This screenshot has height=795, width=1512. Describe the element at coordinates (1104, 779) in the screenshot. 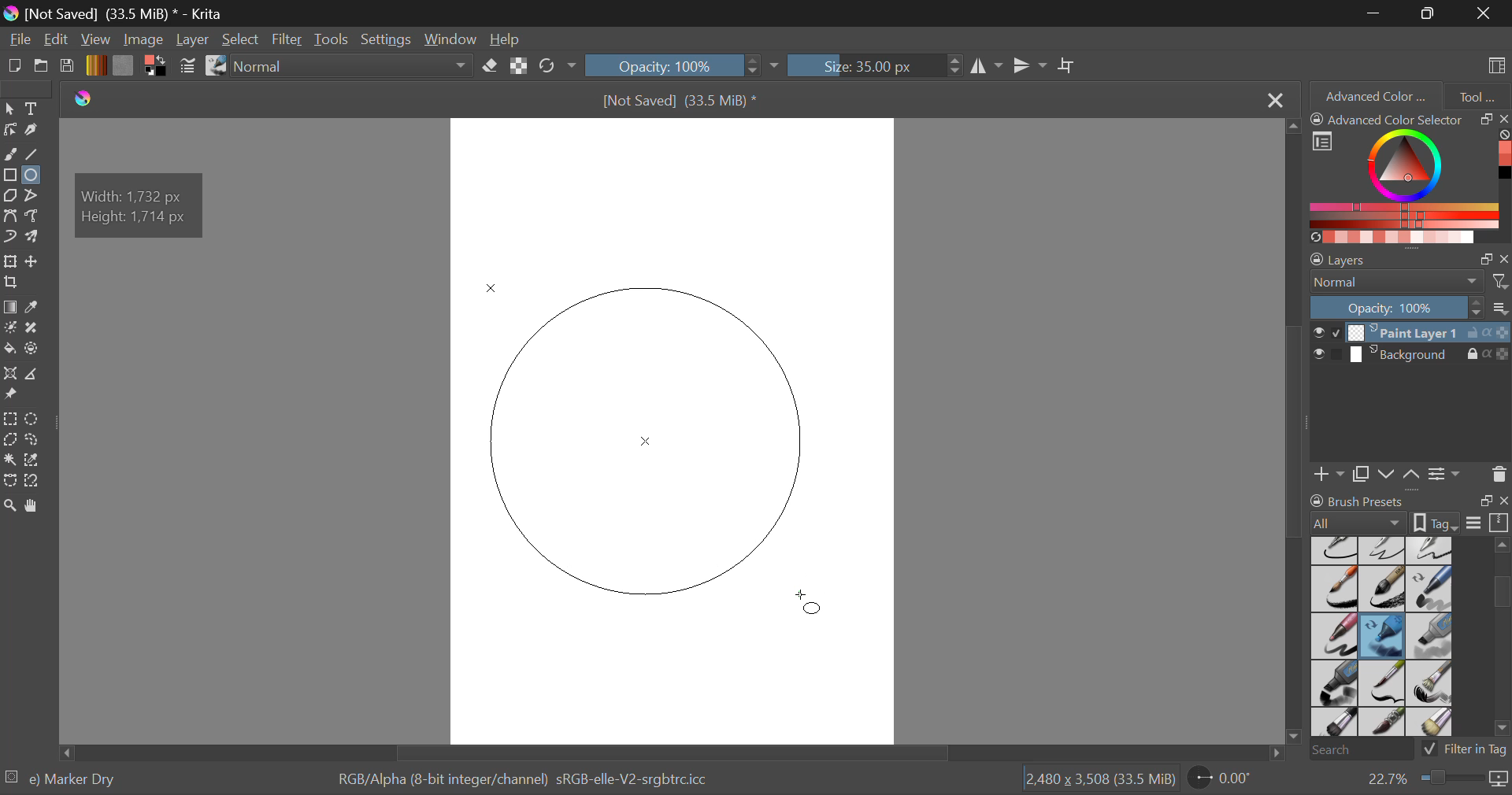

I see `Page Dimensions` at that location.